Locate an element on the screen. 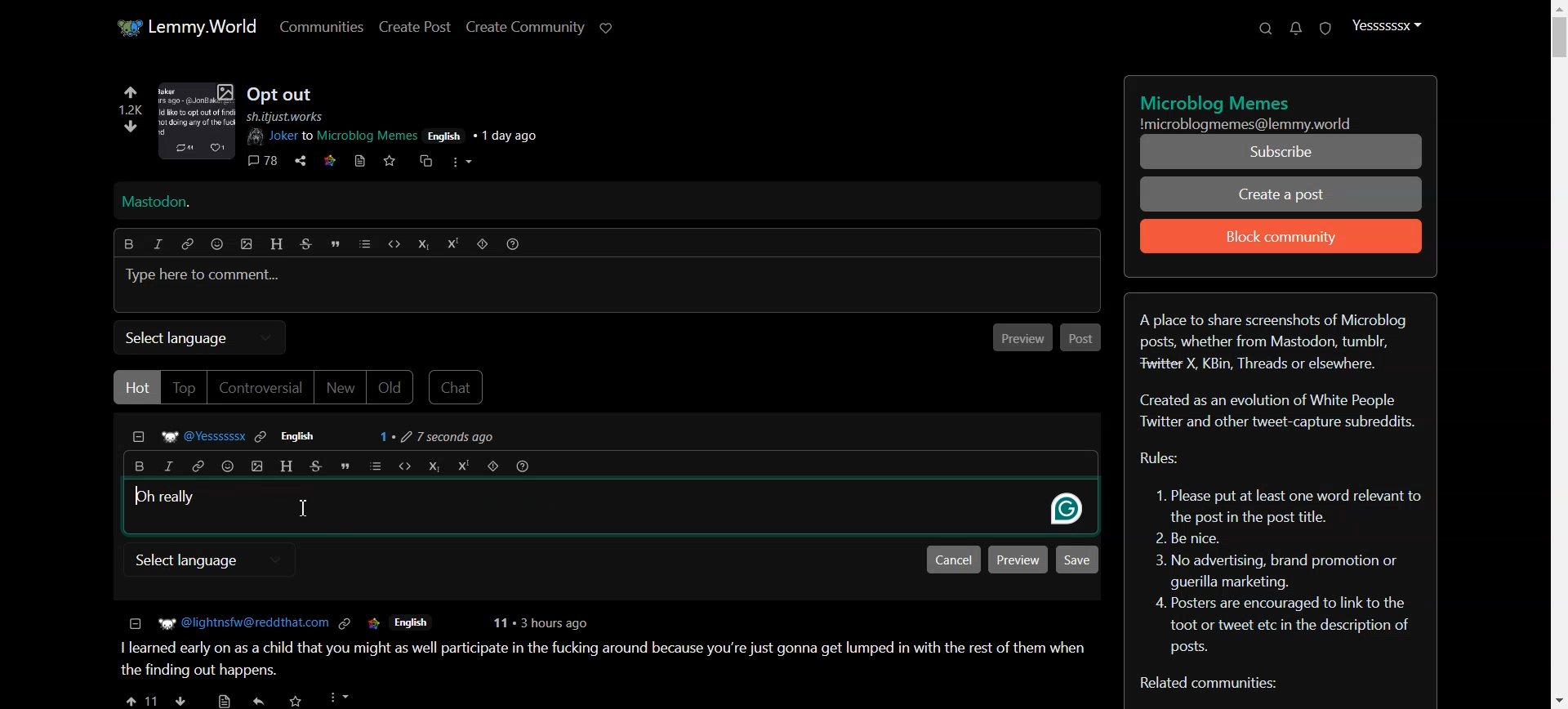 The width and height of the screenshot is (1568, 709). book mark is located at coordinates (359, 161).